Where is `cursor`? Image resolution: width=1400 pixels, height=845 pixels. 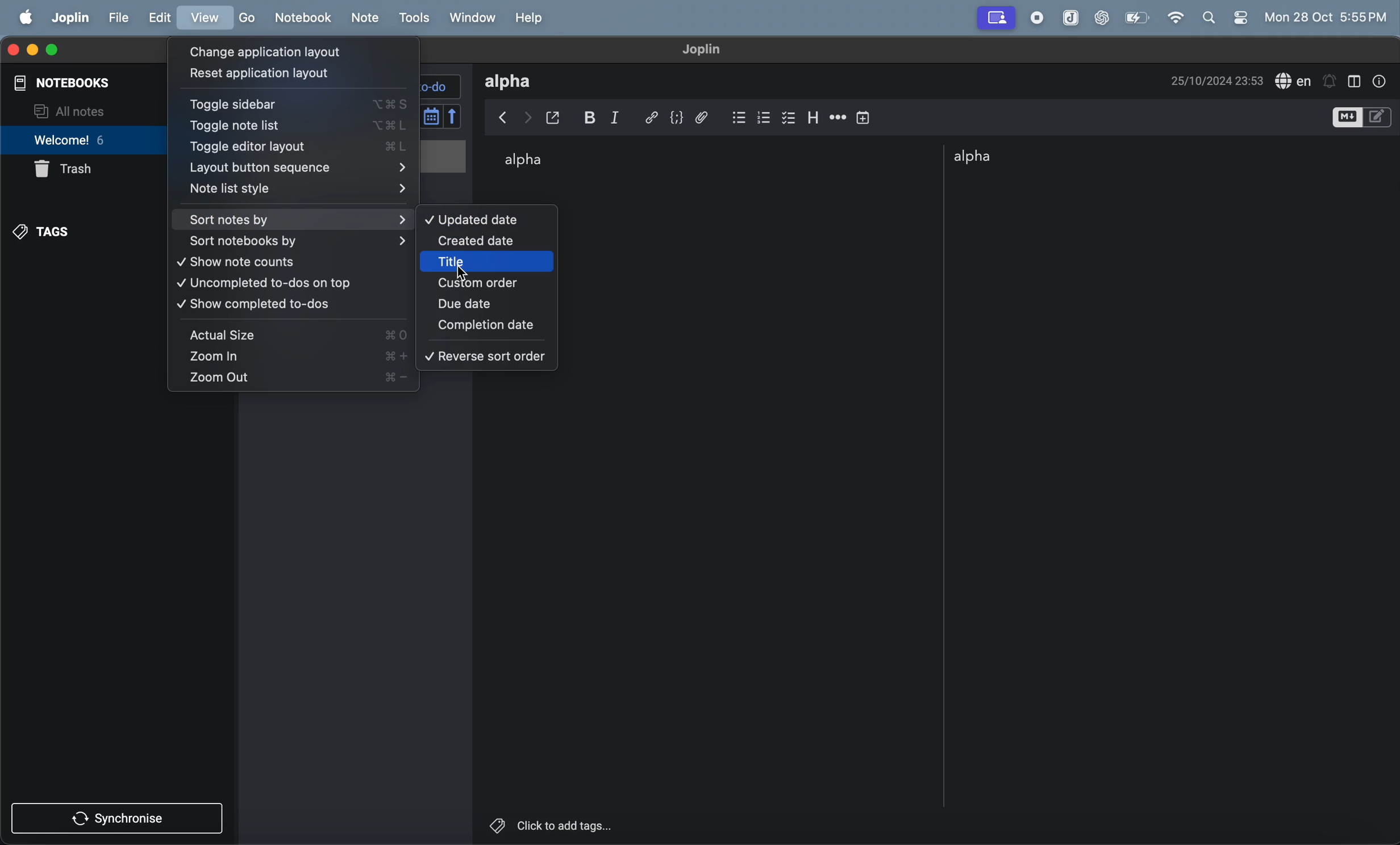
cursor is located at coordinates (463, 273).